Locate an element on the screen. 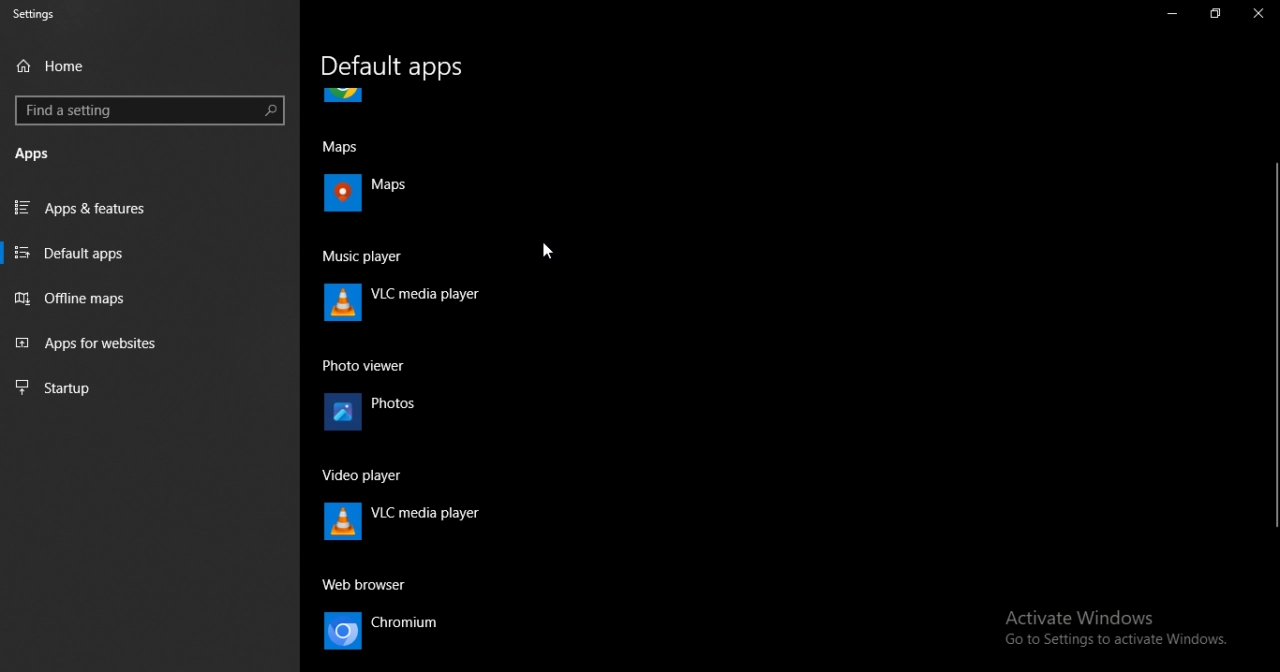 The image size is (1280, 672). VLC media player is located at coordinates (402, 520).